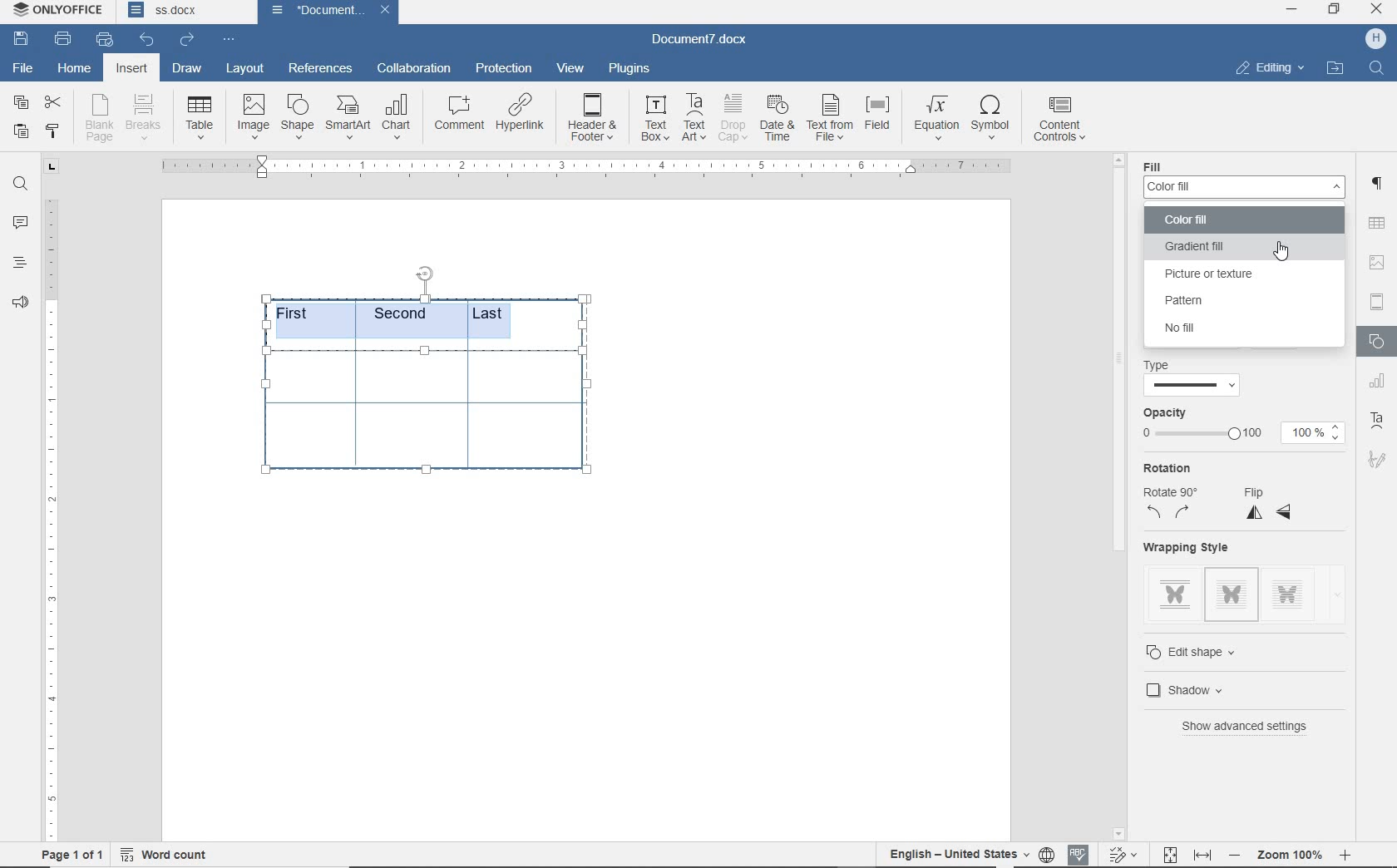 This screenshot has width=1397, height=868. I want to click on shape settings, so click(1375, 343).